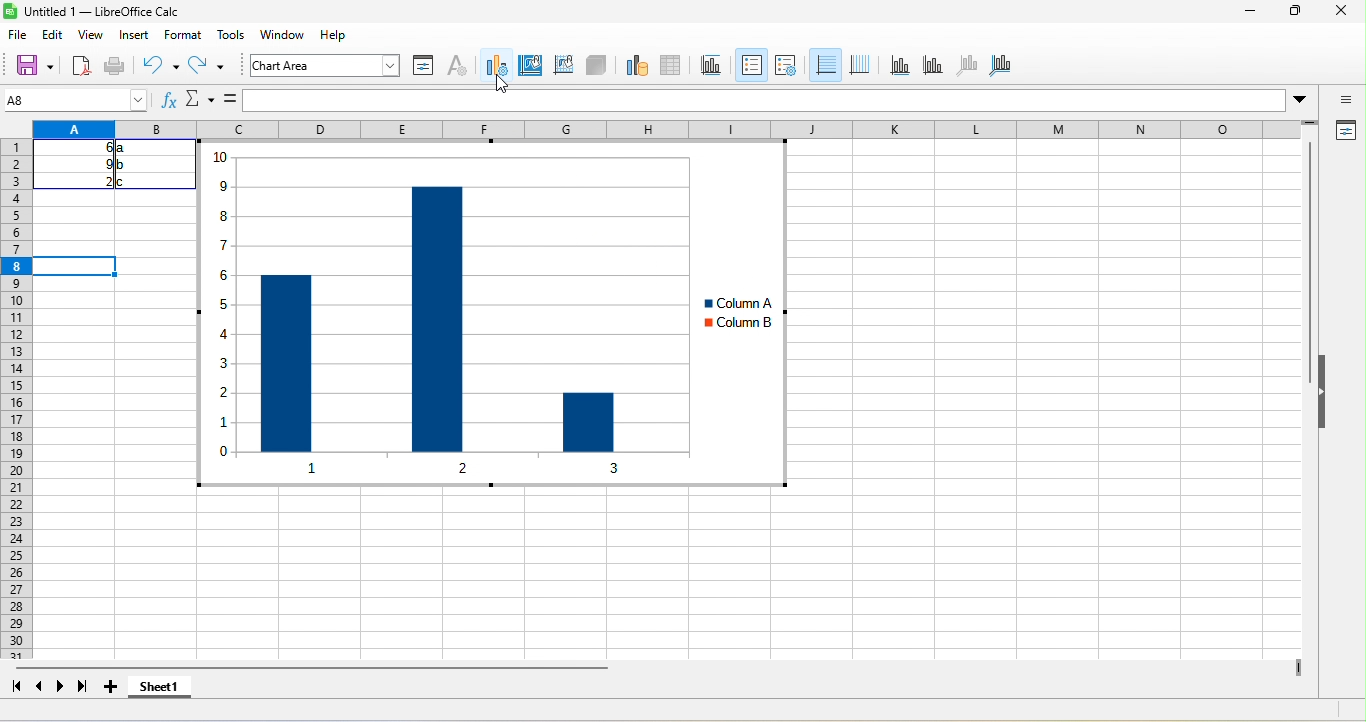 Image resolution: width=1366 pixels, height=722 pixels. What do you see at coordinates (459, 67) in the screenshot?
I see `character` at bounding box center [459, 67].